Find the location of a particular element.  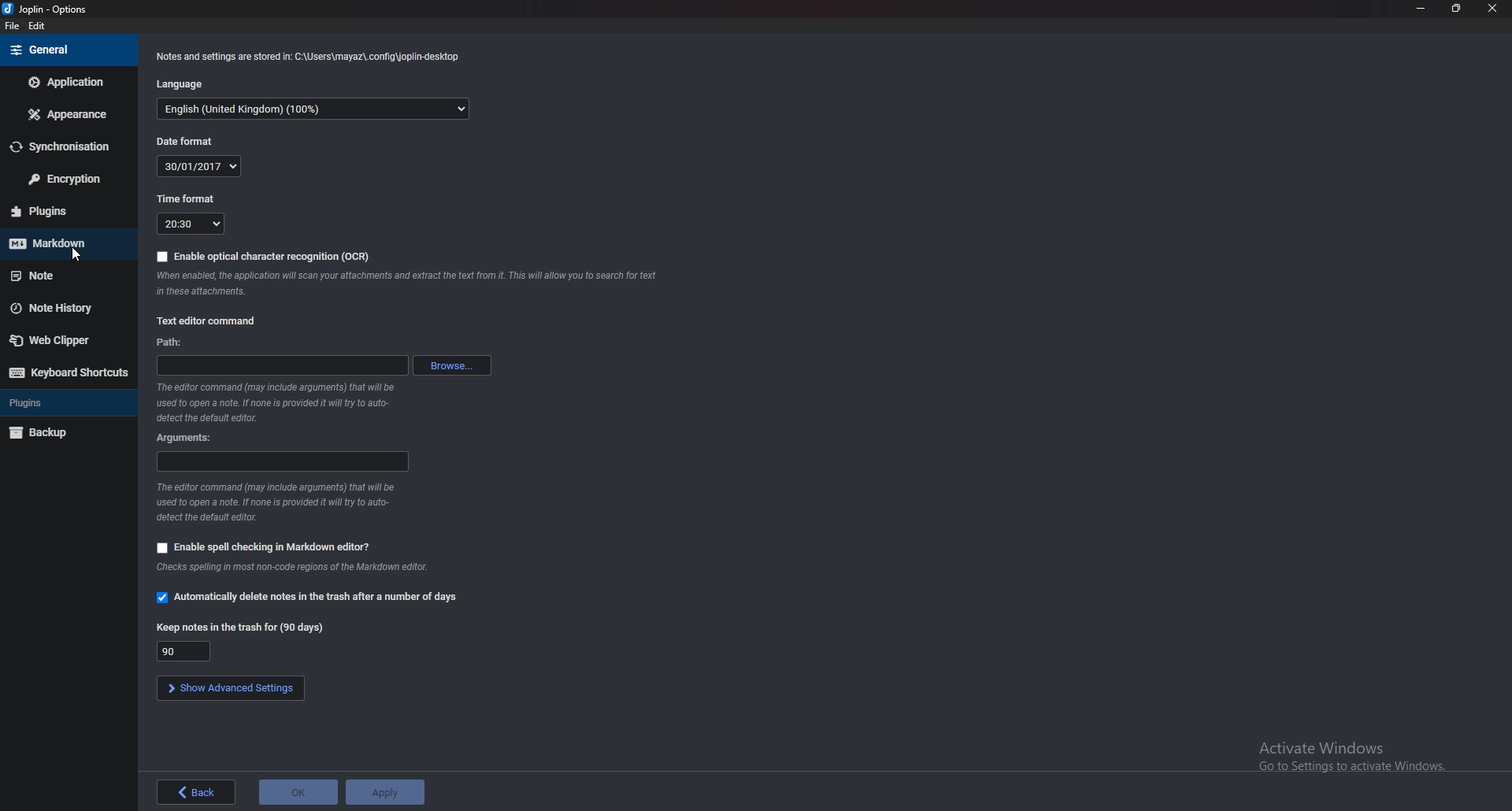

Plugins is located at coordinates (62, 402).